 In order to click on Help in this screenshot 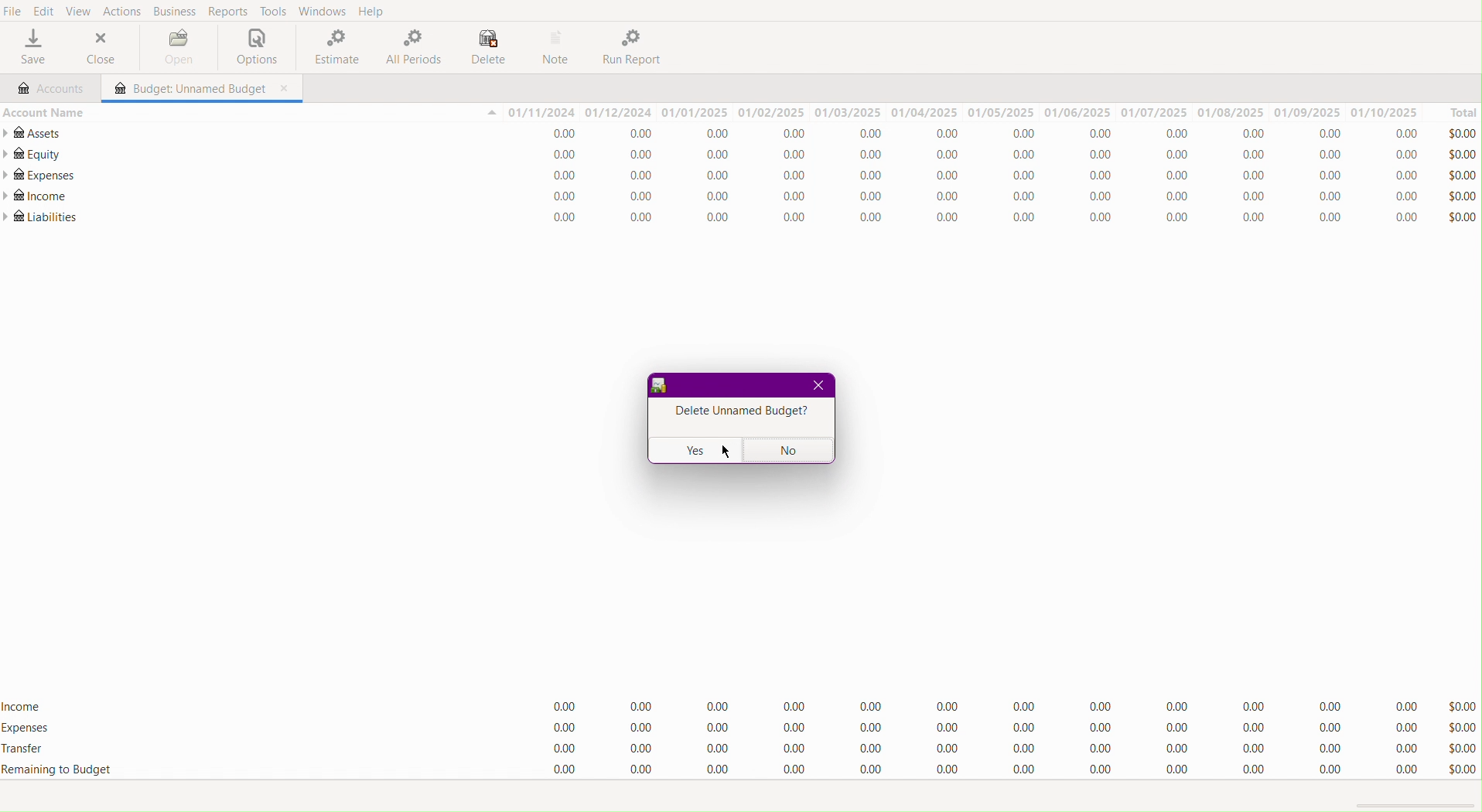, I will do `click(376, 11)`.